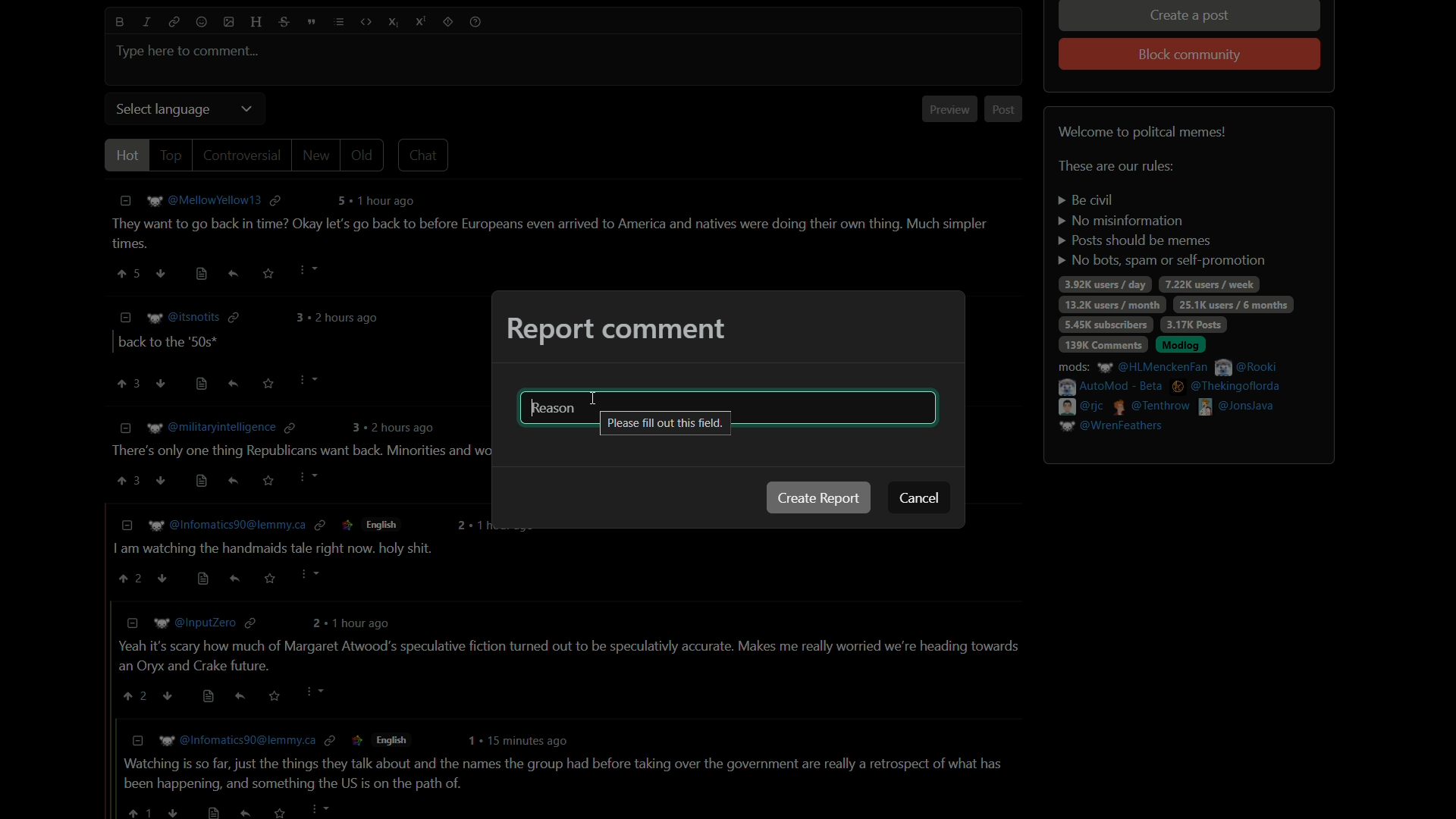 This screenshot has width=1456, height=819. I want to click on ownvote, so click(162, 383).